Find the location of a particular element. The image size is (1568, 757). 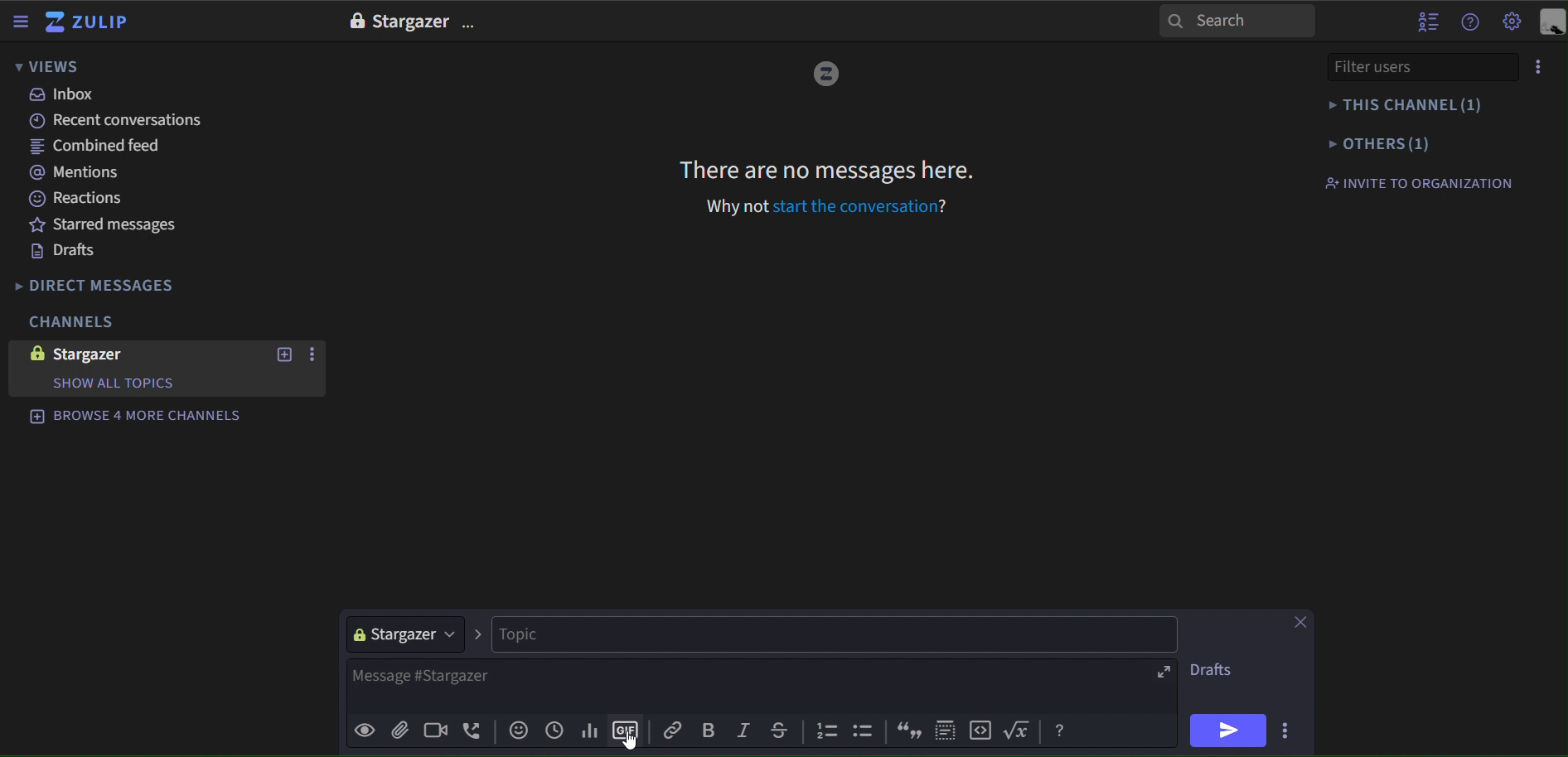

topics is located at coordinates (833, 634).